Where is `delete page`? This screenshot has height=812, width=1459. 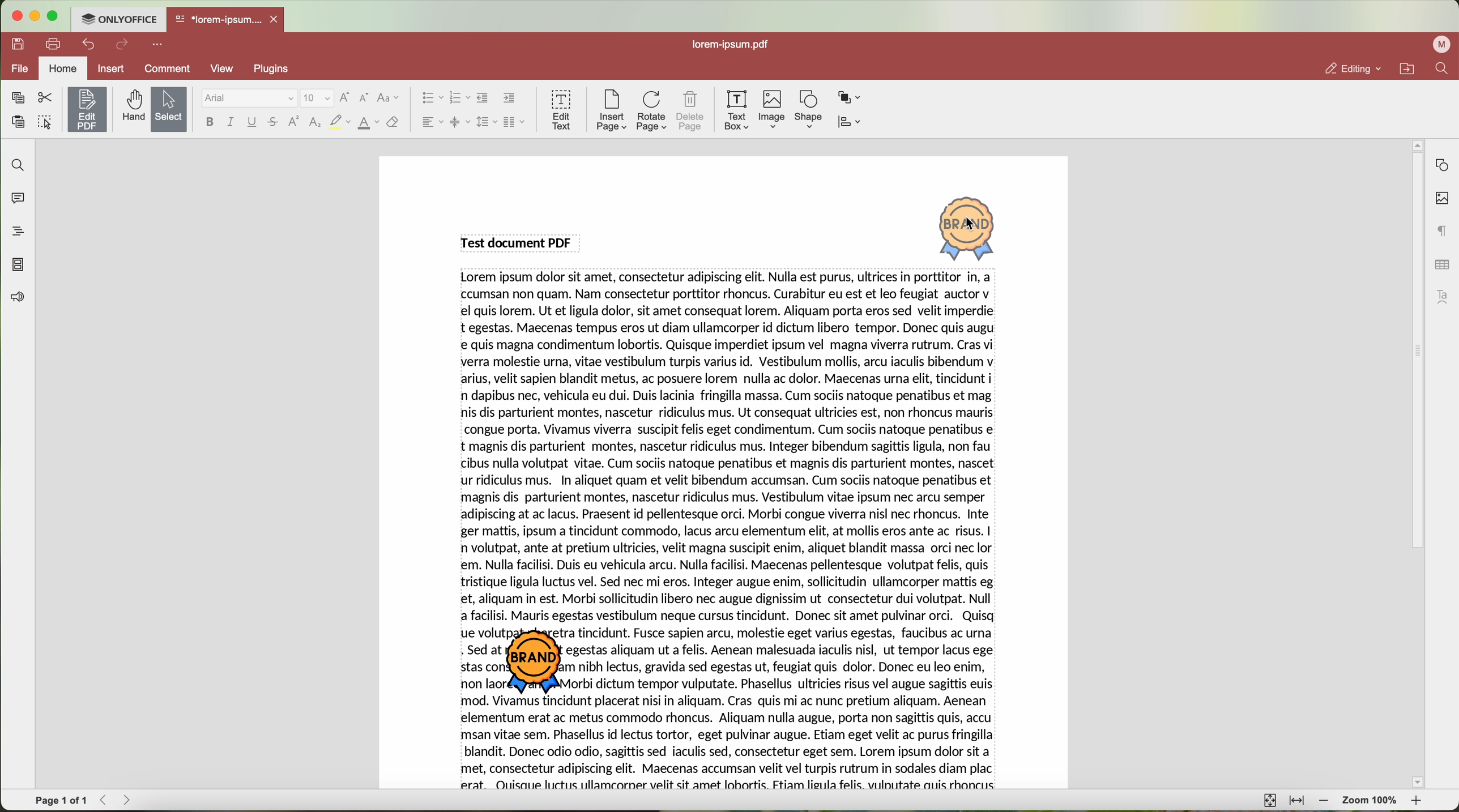 delete page is located at coordinates (691, 113).